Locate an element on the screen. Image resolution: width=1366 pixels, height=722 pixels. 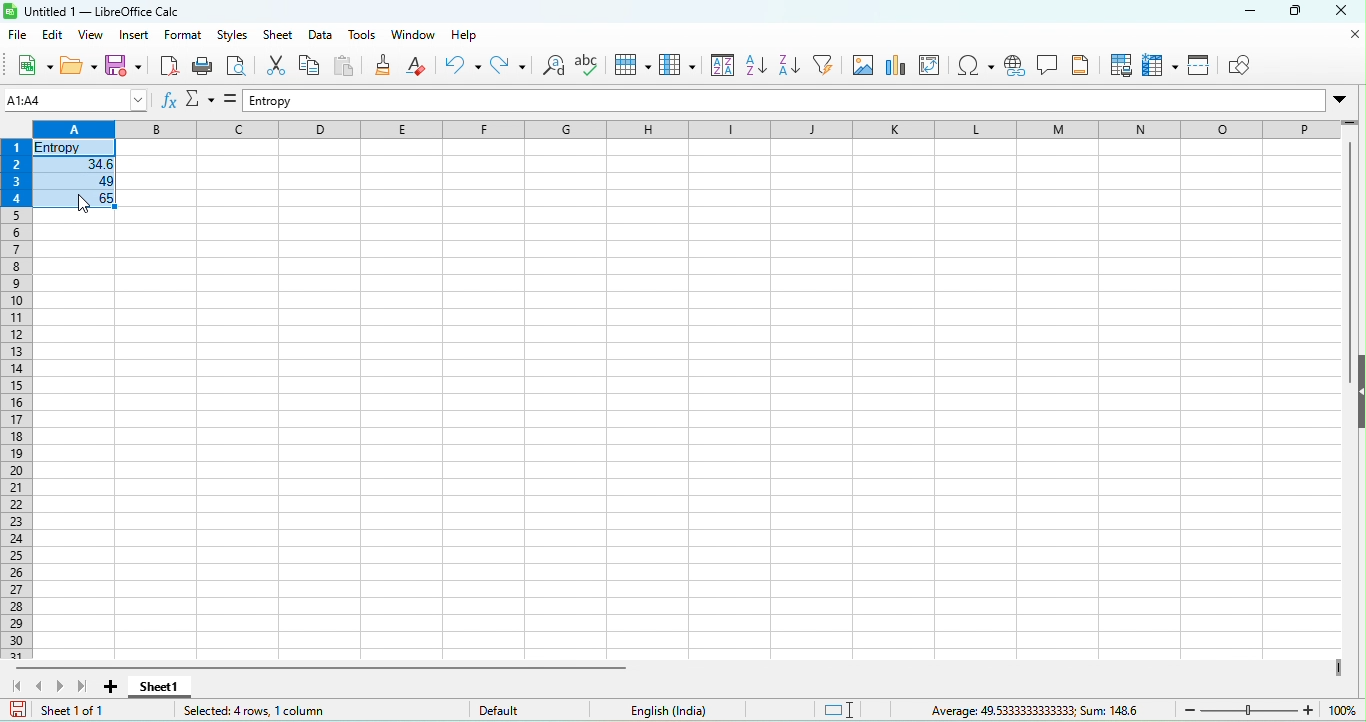
tools is located at coordinates (369, 35).